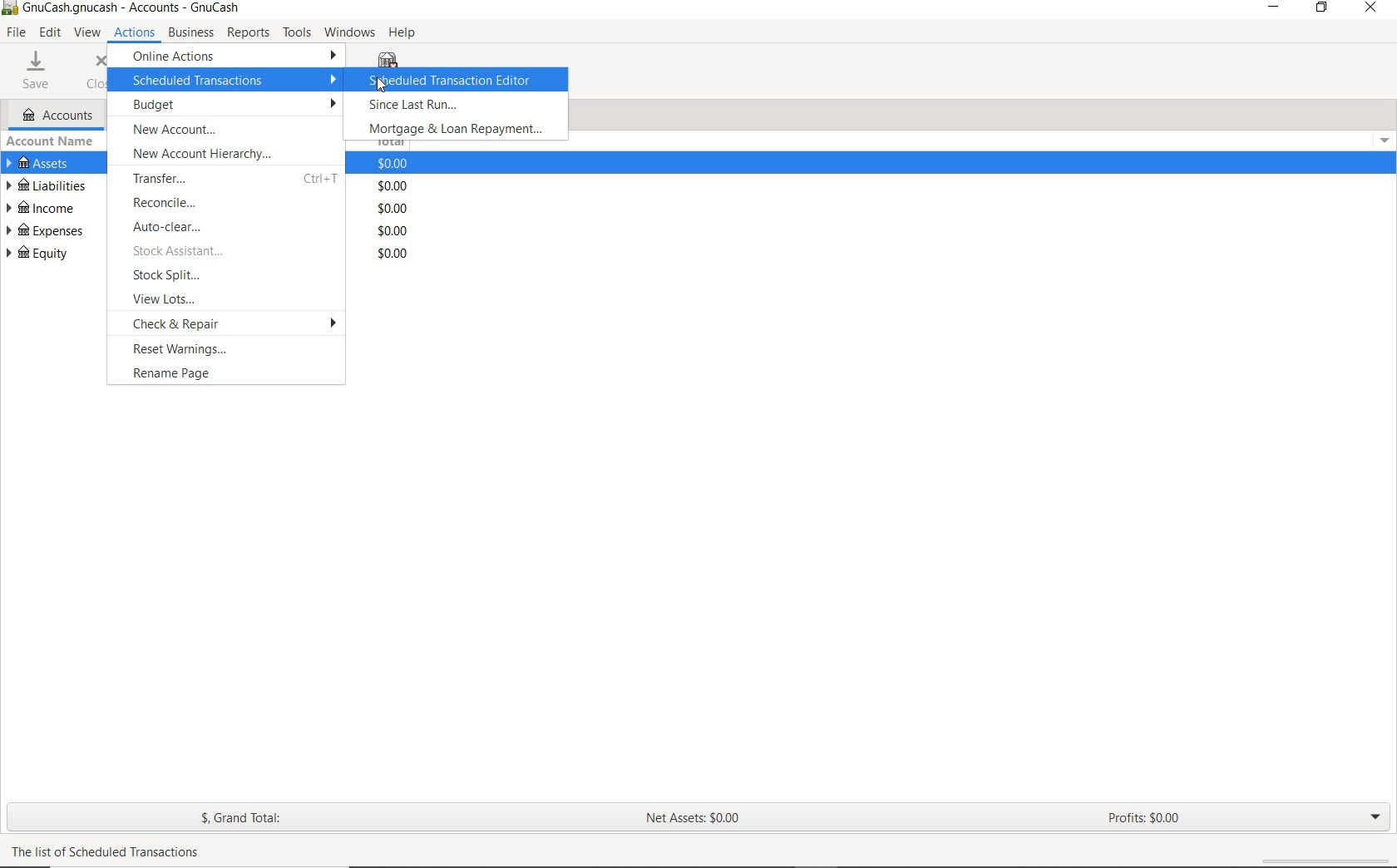  I want to click on text, so click(106, 852).